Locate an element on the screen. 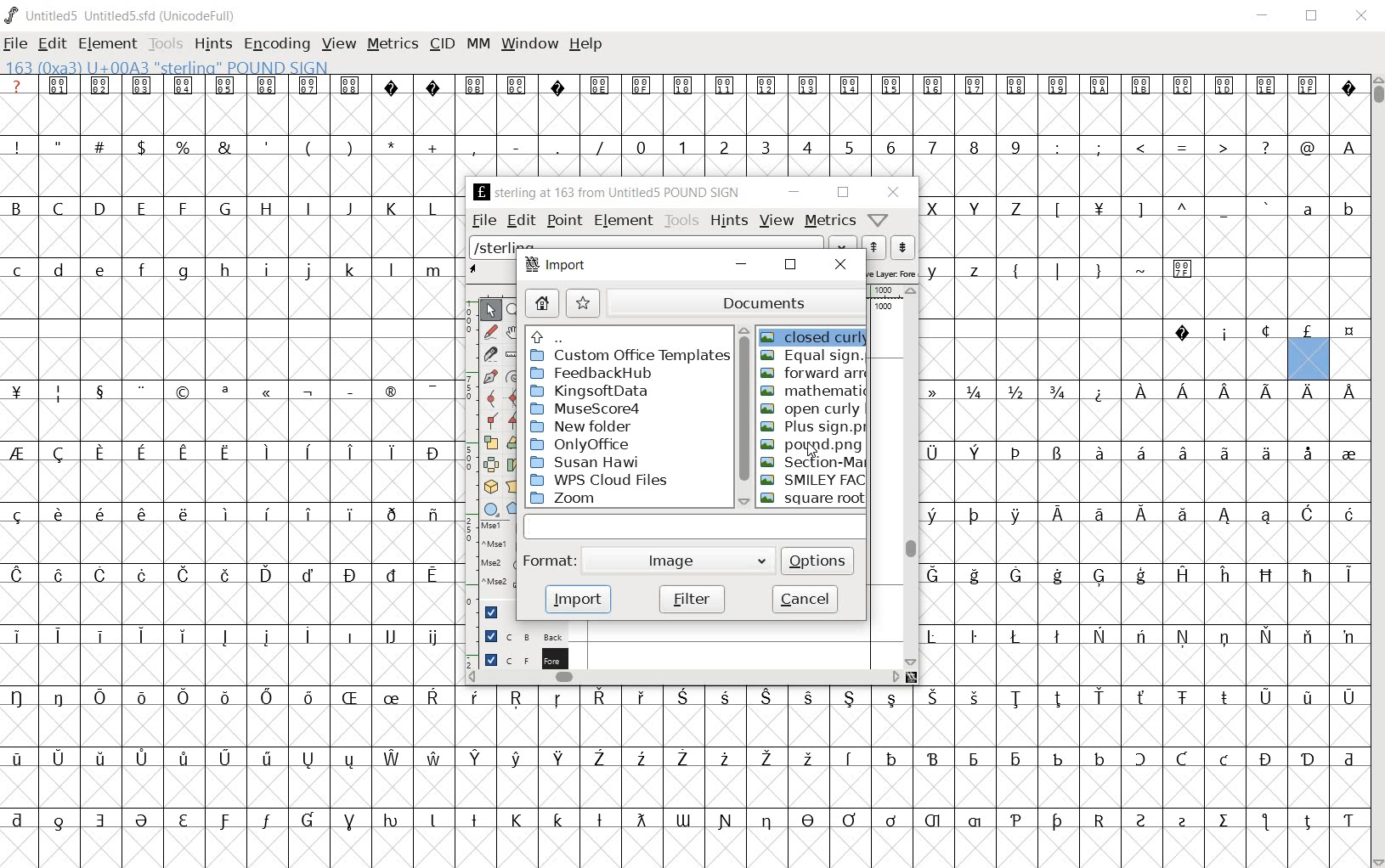  Symbol is located at coordinates (1349, 576).